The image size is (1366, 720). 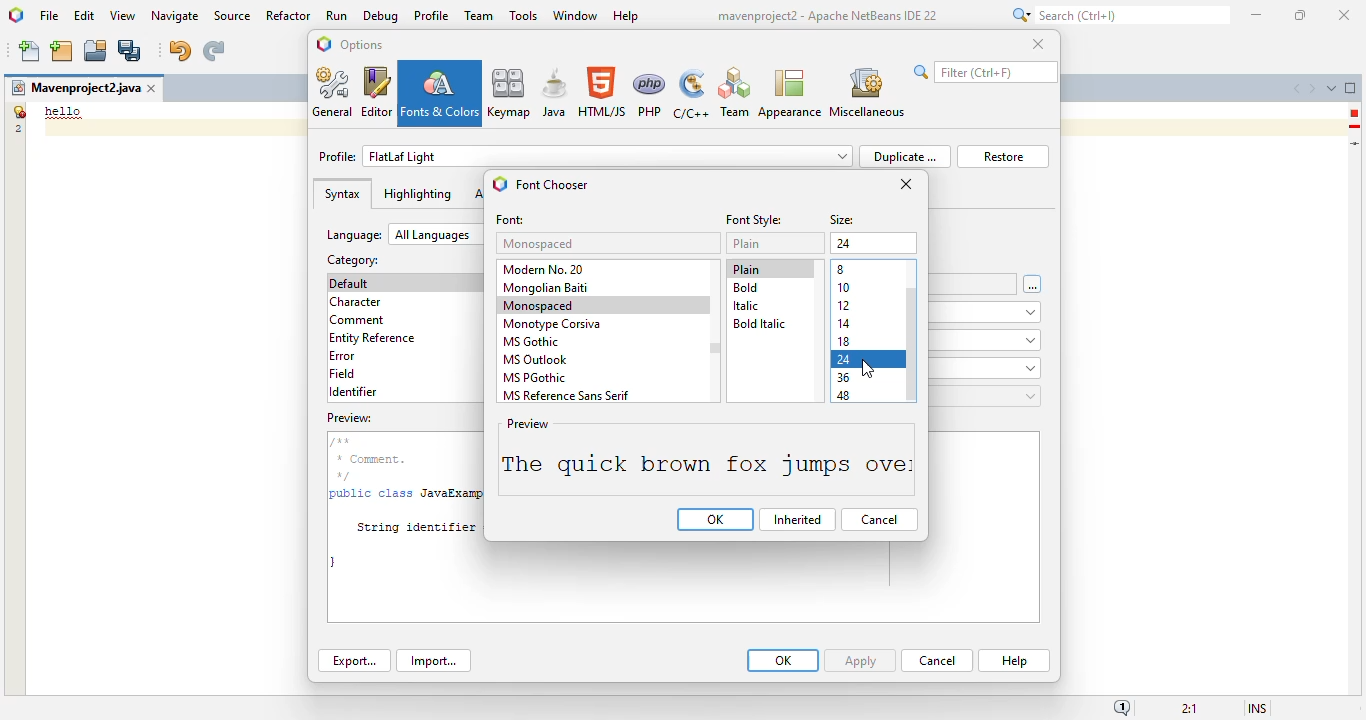 I want to click on redo, so click(x=213, y=51).